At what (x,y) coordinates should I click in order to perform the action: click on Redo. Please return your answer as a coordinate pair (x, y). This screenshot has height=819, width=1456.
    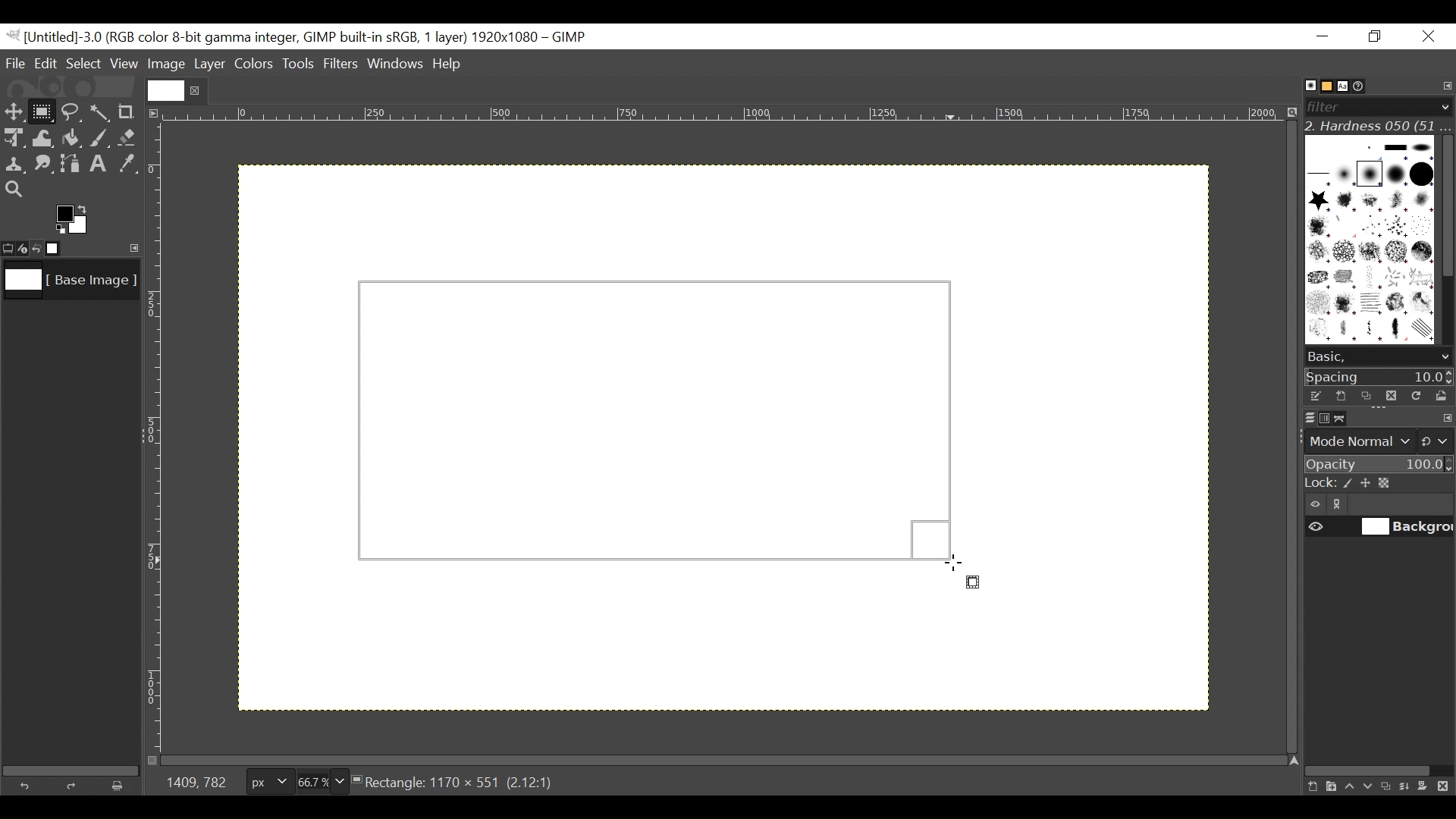
    Looking at the image, I should click on (74, 786).